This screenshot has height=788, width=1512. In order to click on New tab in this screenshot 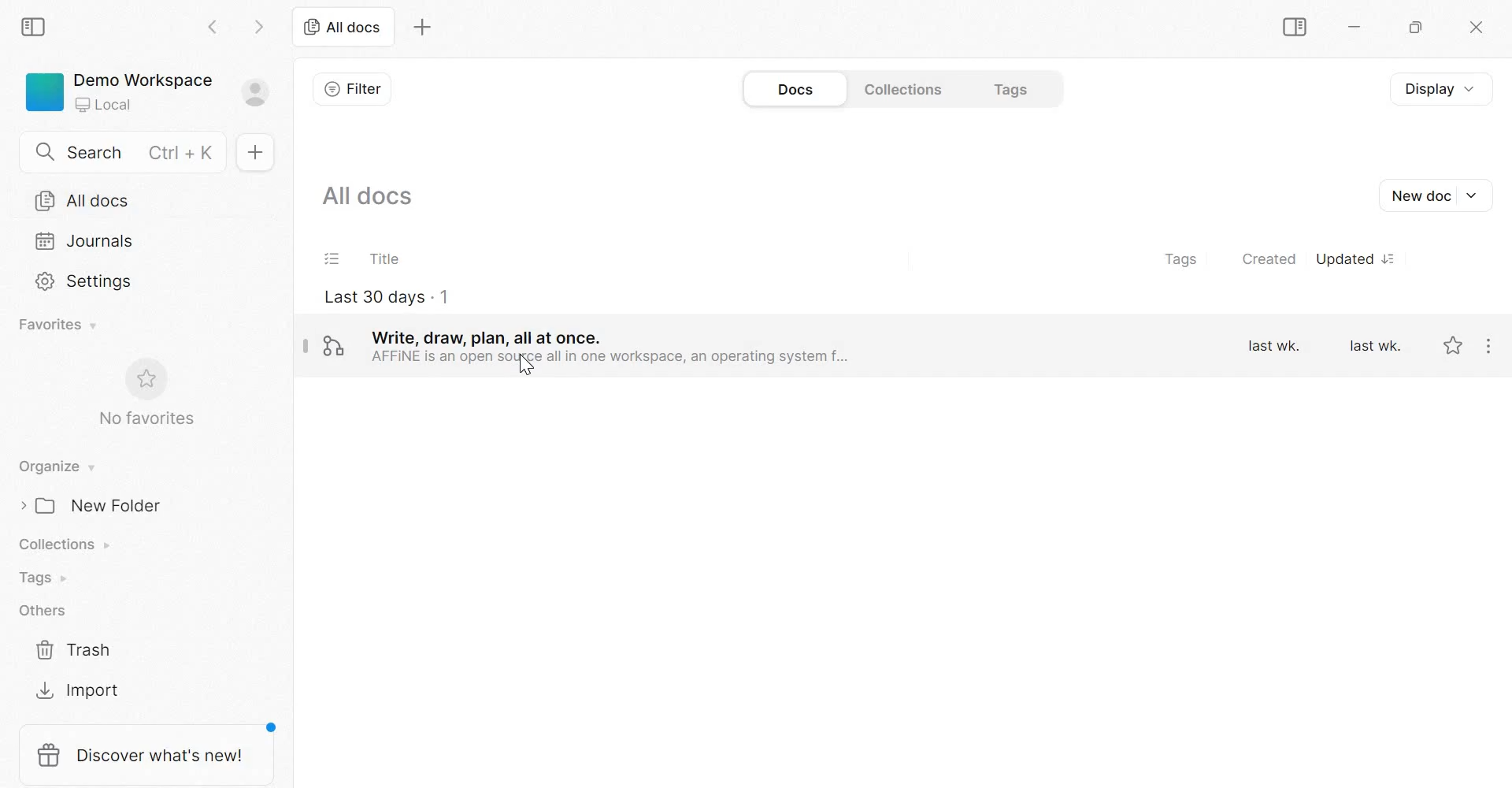, I will do `click(421, 27)`.